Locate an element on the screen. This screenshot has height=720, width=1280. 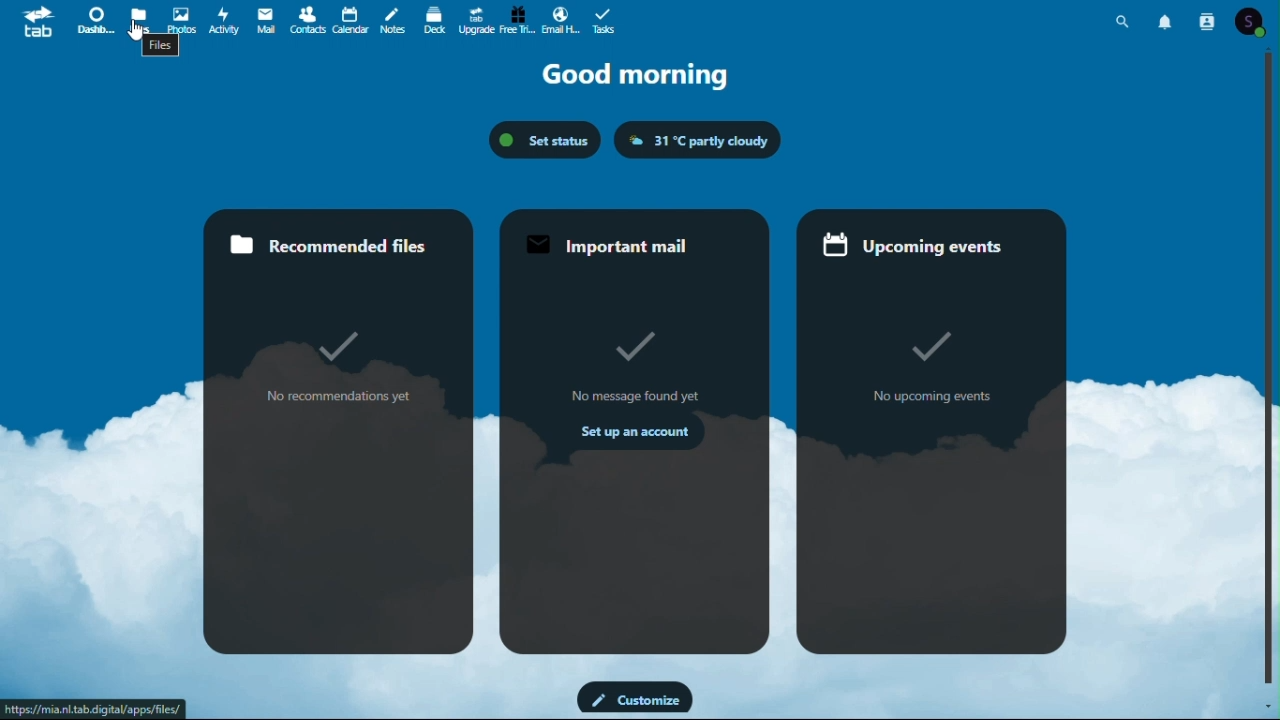
files is located at coordinates (139, 17).